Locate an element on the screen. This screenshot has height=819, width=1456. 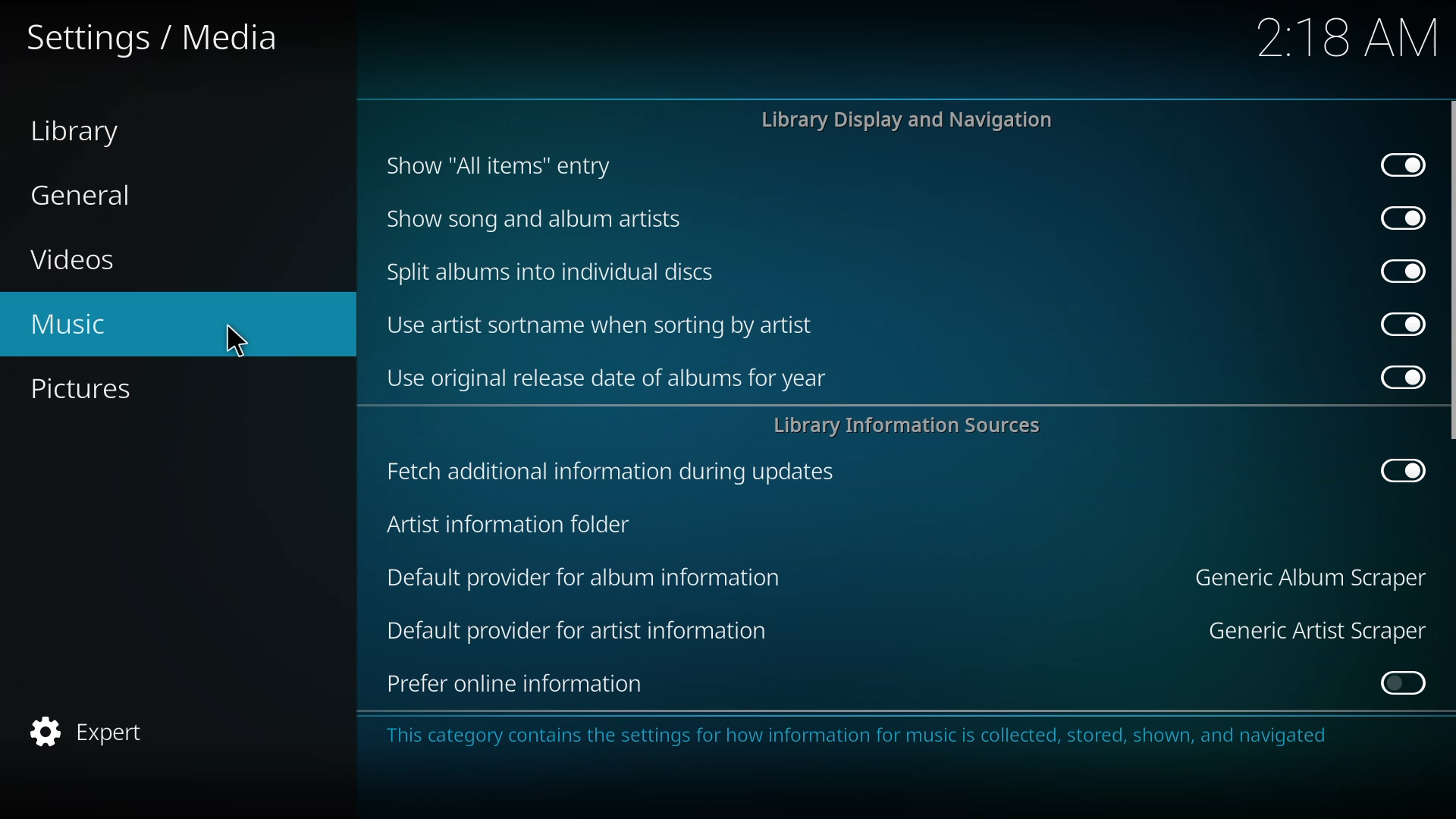
enabled is located at coordinates (1398, 217).